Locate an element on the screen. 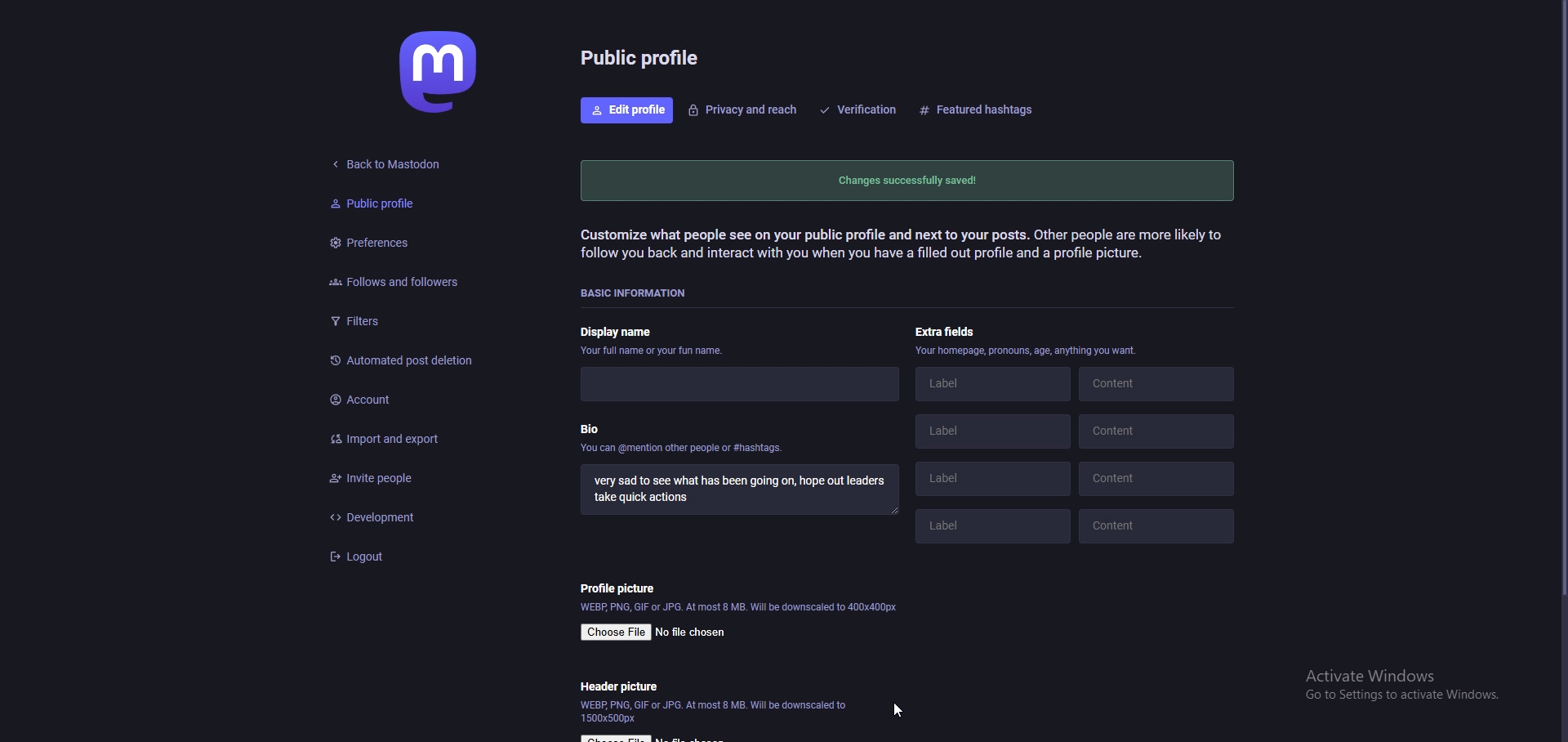 The image size is (1568, 742). Basic information is located at coordinates (651, 285).